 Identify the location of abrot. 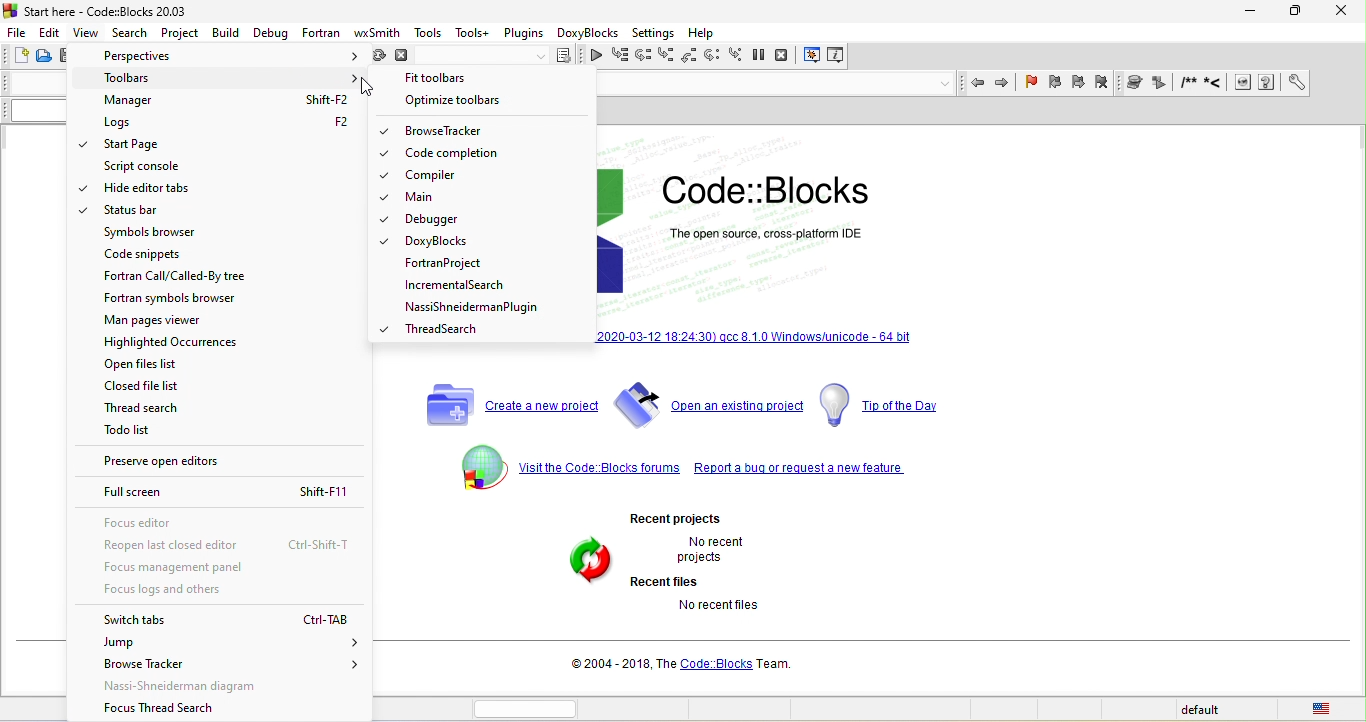
(405, 59).